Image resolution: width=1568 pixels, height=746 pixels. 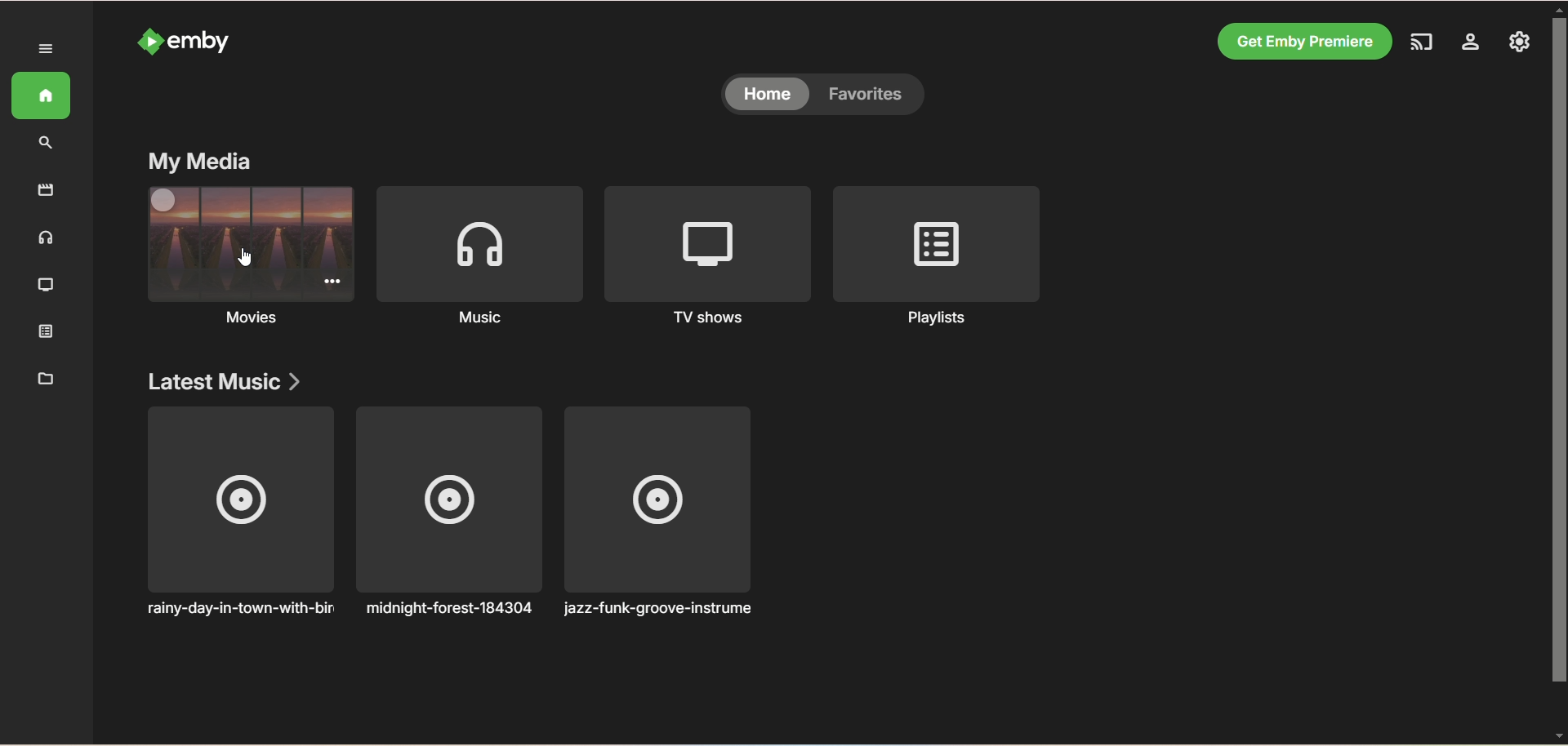 I want to click on midnight-forest-184304, so click(x=452, y=513).